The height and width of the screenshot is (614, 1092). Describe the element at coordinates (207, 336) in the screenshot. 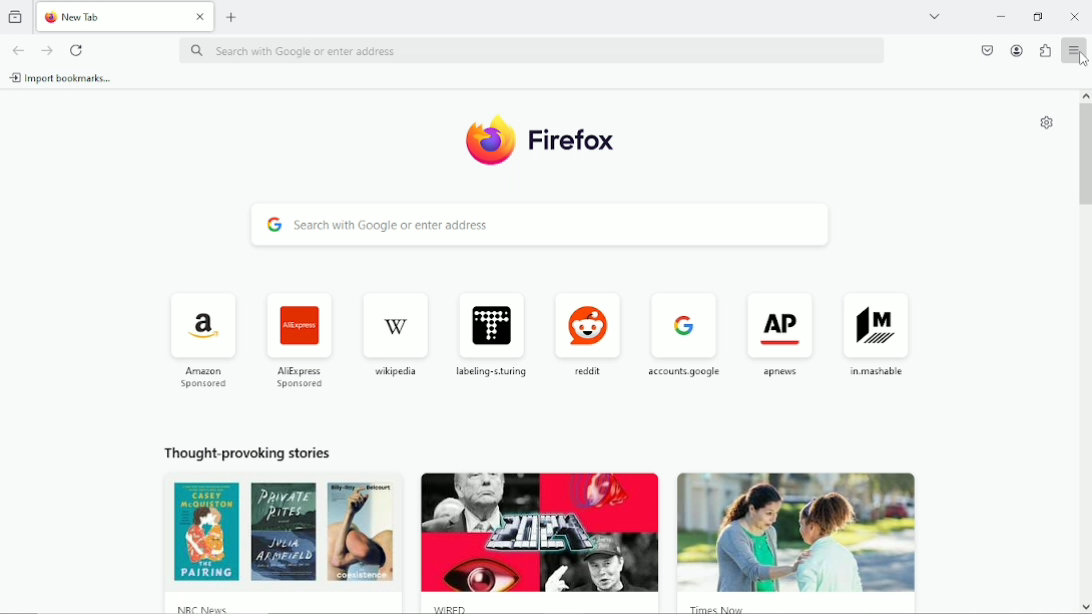

I see `amazon` at that location.